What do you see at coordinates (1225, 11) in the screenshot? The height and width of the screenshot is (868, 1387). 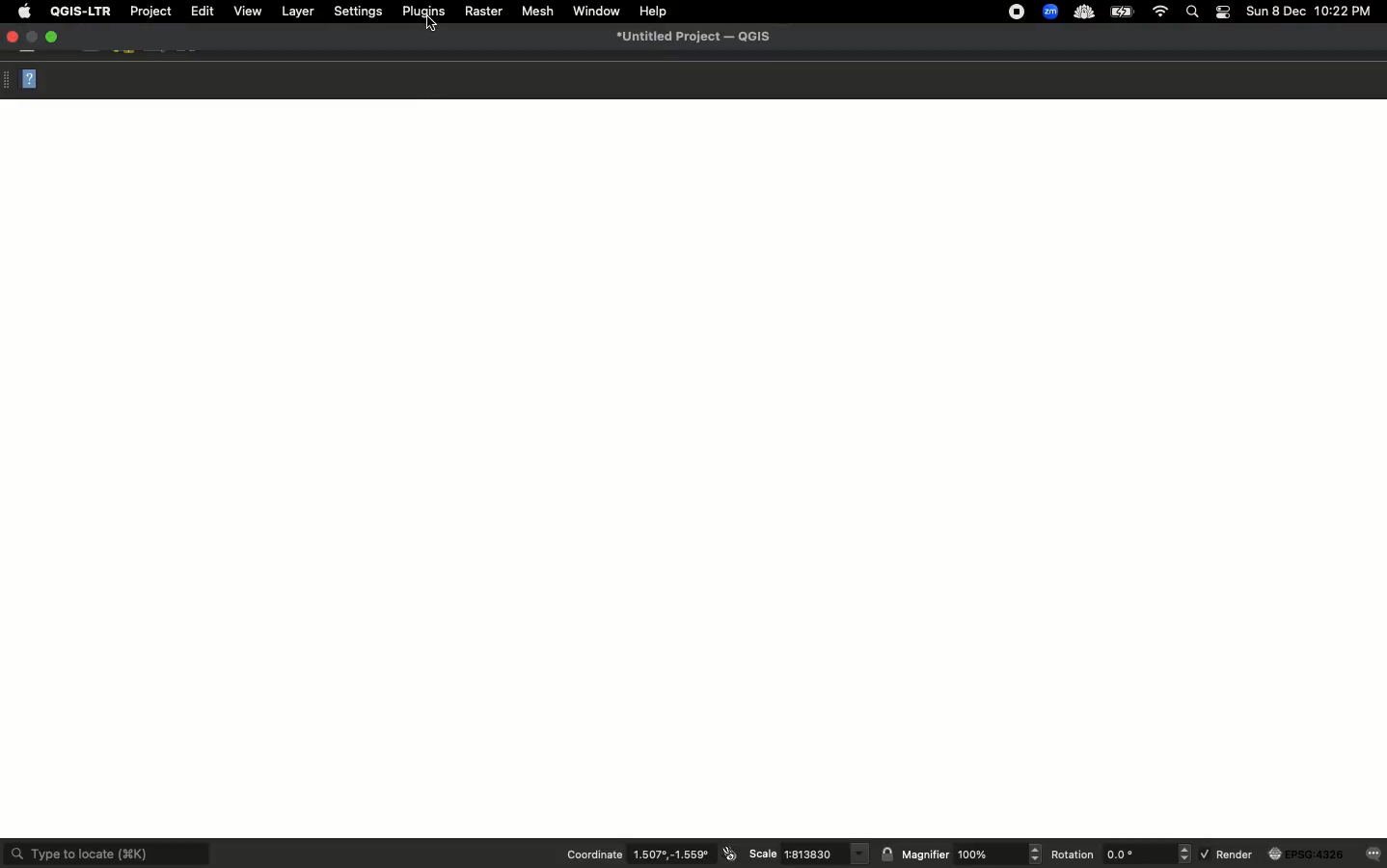 I see `Notification` at bounding box center [1225, 11].